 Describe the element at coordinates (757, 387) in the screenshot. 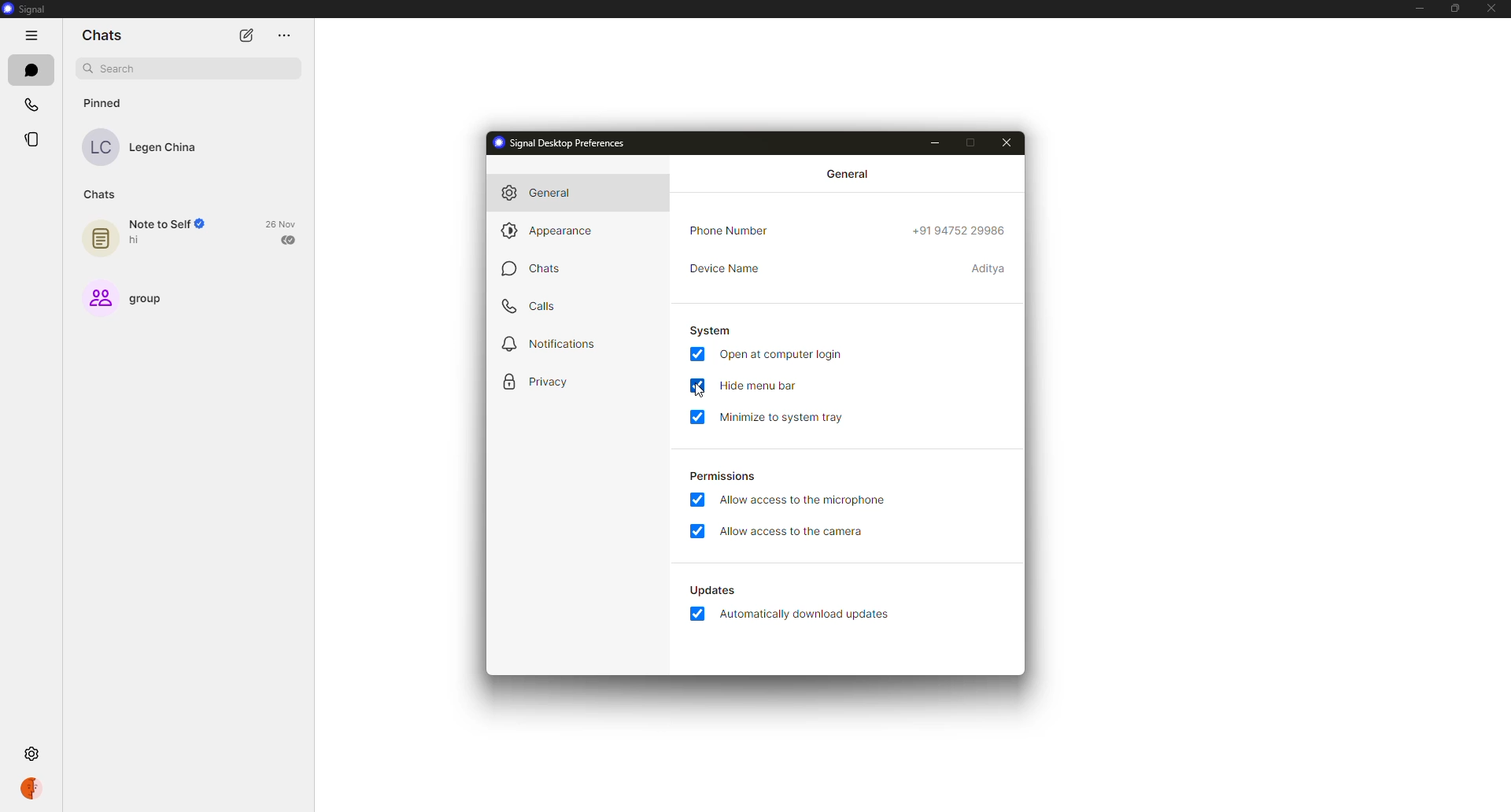

I see `hide menu bar` at that location.